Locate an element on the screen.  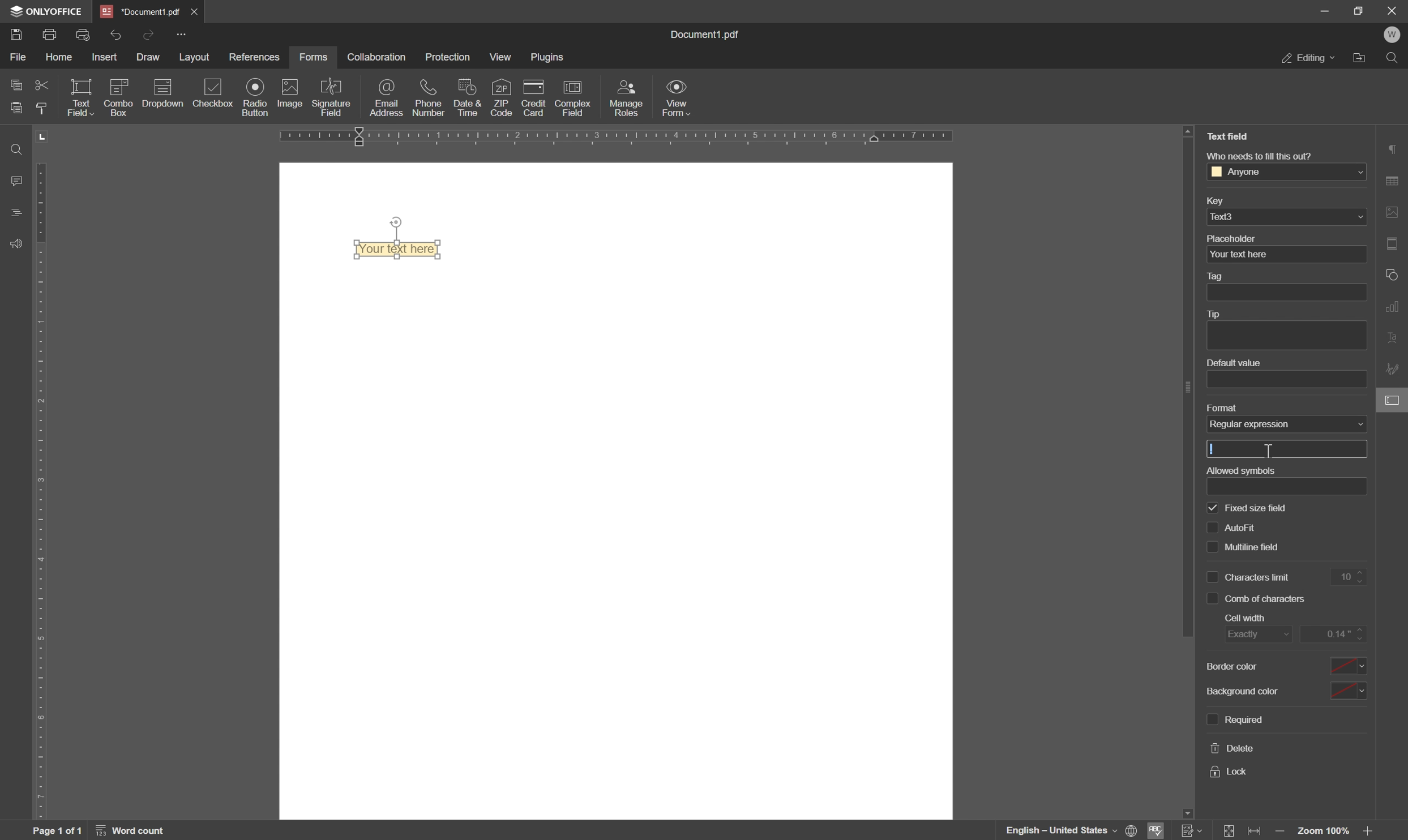
email address is located at coordinates (389, 99).